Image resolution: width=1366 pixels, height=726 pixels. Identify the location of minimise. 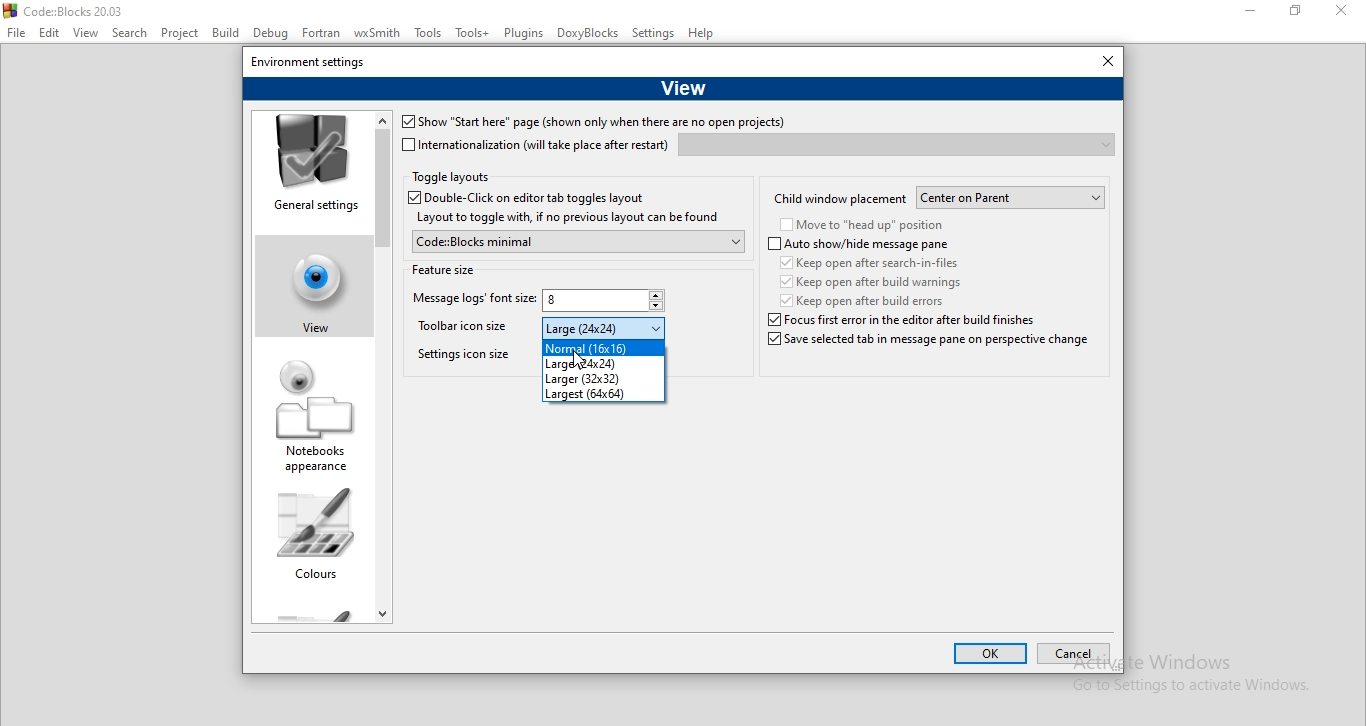
(1251, 12).